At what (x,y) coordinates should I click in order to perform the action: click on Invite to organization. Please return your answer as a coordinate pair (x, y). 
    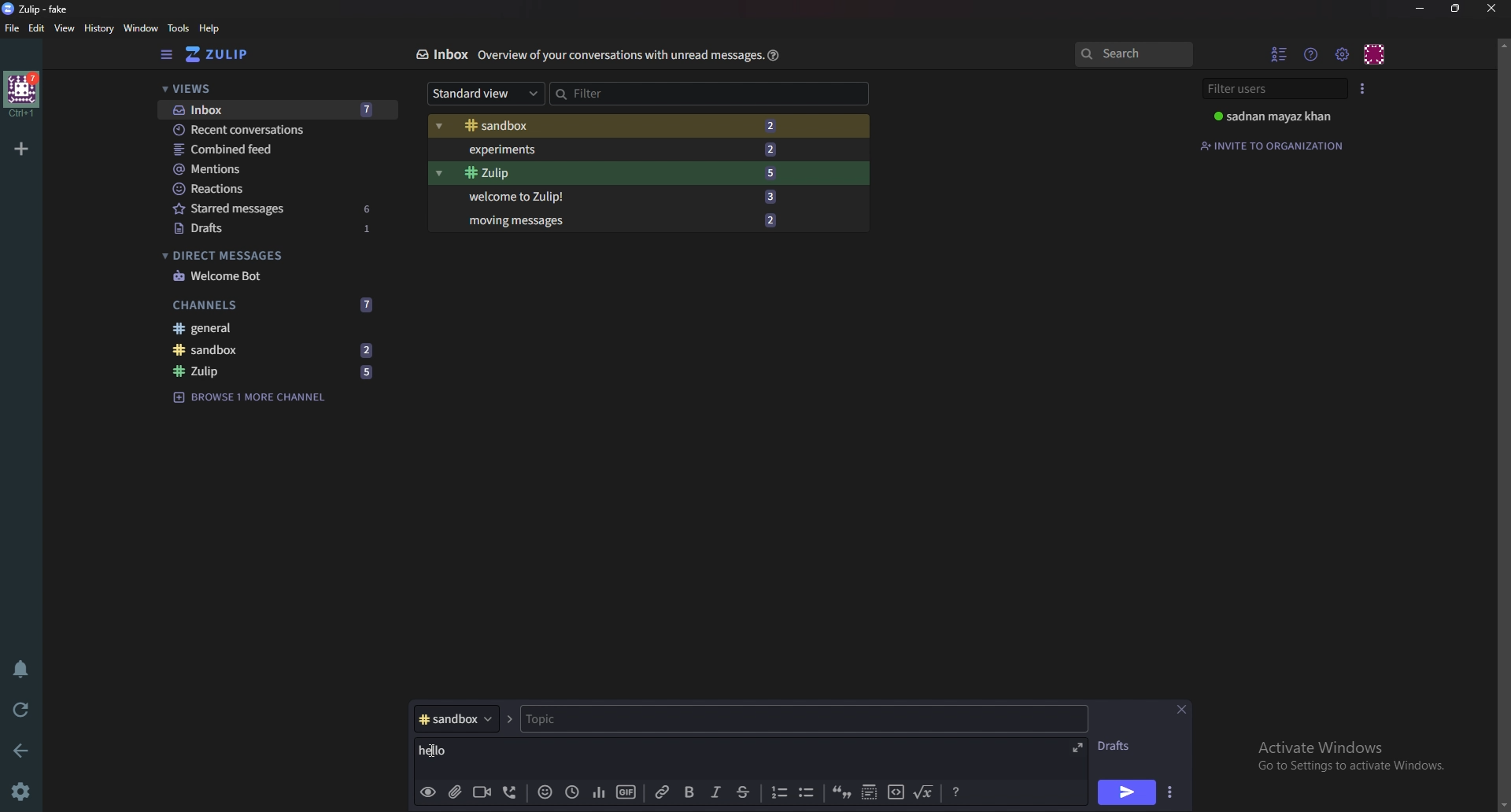
    Looking at the image, I should click on (1279, 146).